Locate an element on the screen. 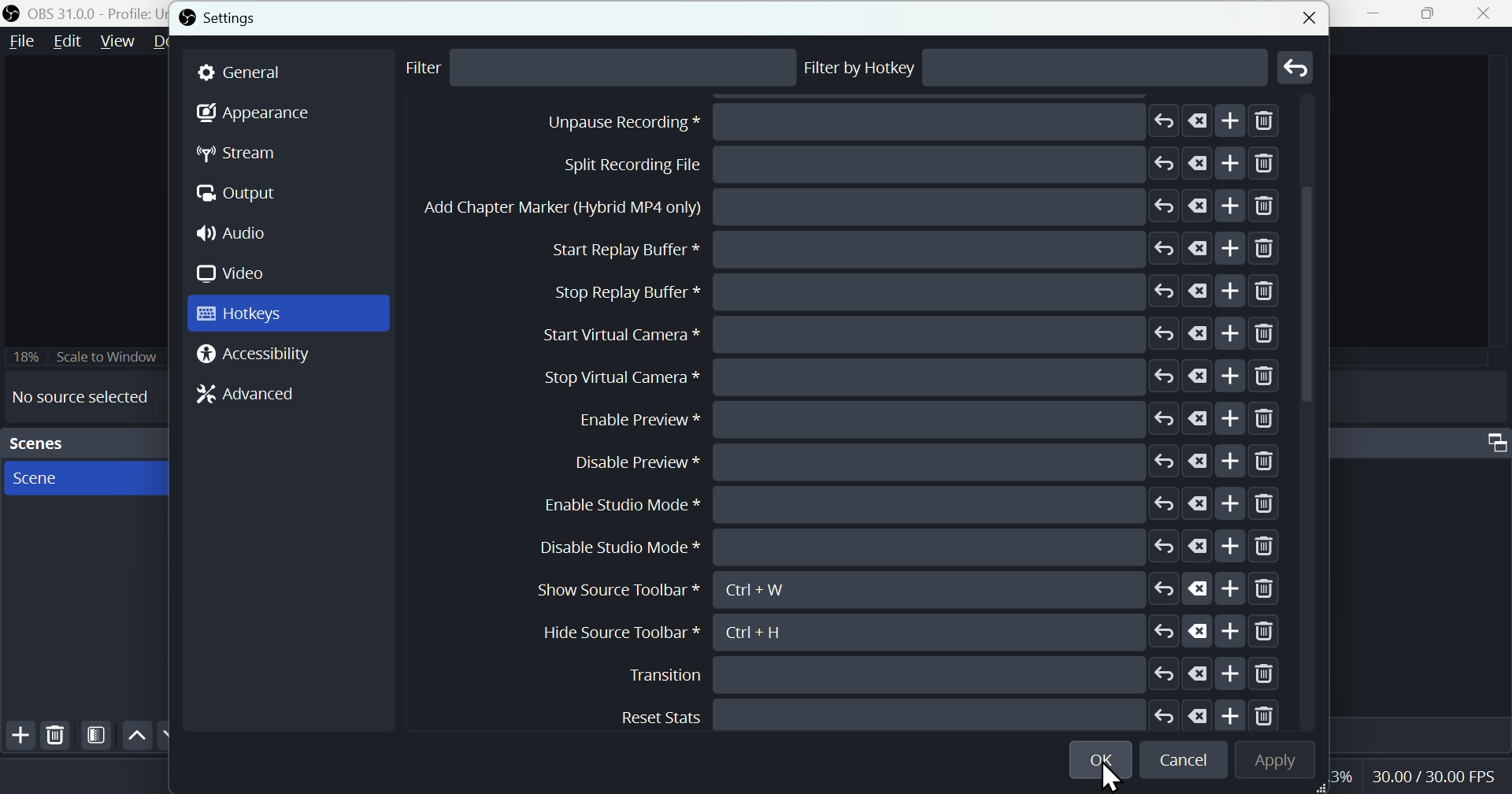 The width and height of the screenshot is (1512, 794). Performance bar paanchala is located at coordinates (1436, 779).